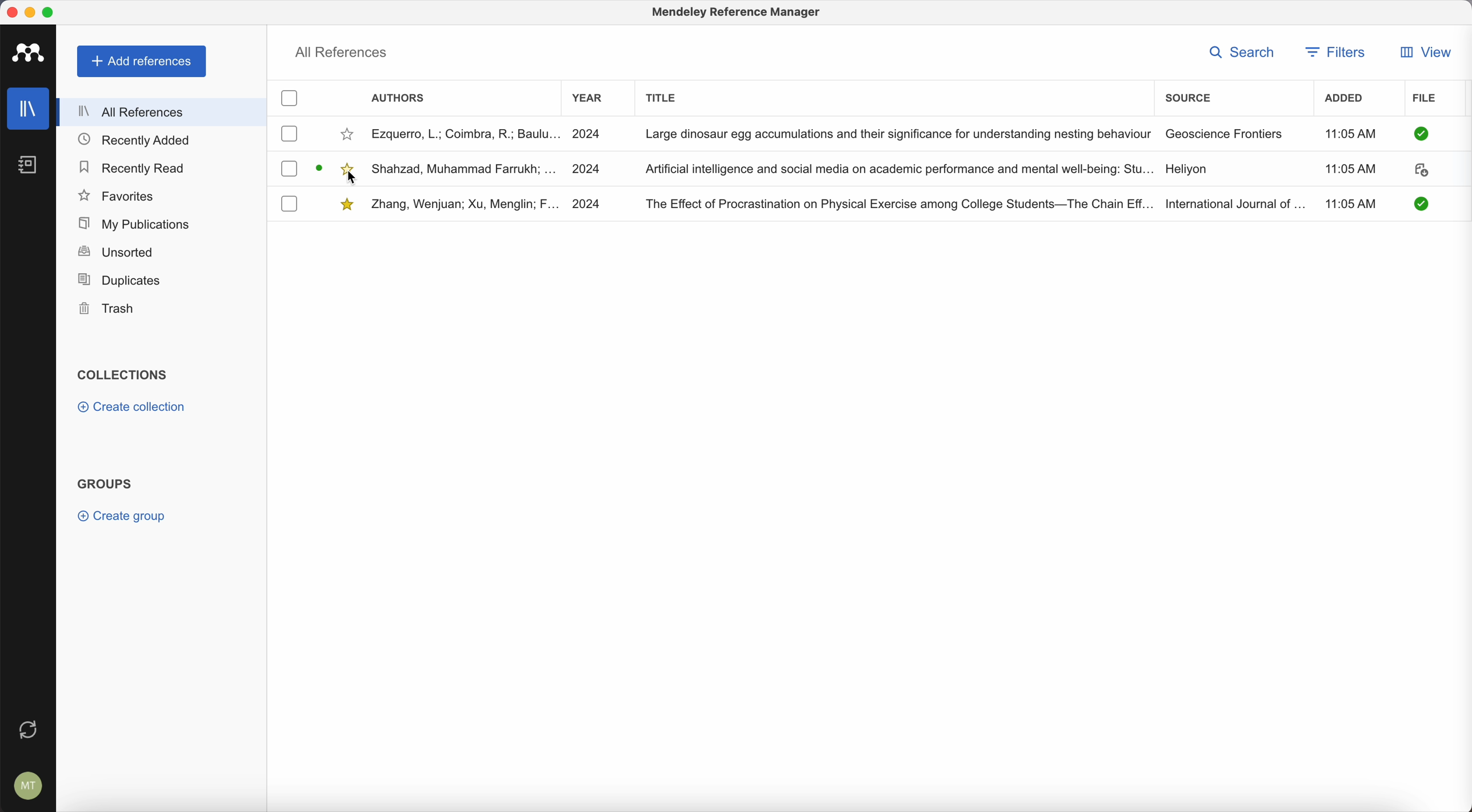 This screenshot has width=1472, height=812. What do you see at coordinates (290, 134) in the screenshot?
I see `checkbox` at bounding box center [290, 134].